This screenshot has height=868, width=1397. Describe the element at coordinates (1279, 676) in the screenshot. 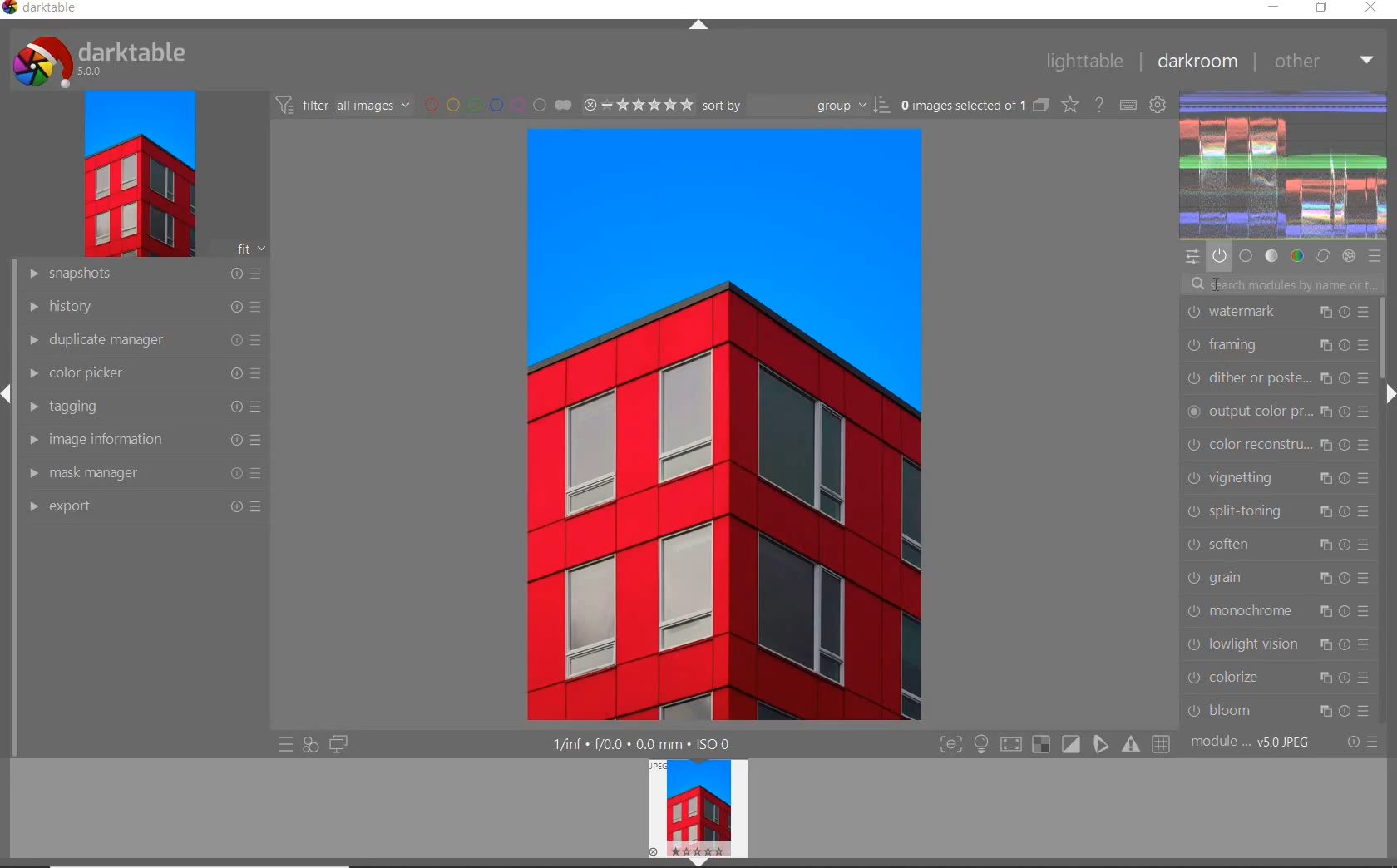

I see `colorize` at that location.